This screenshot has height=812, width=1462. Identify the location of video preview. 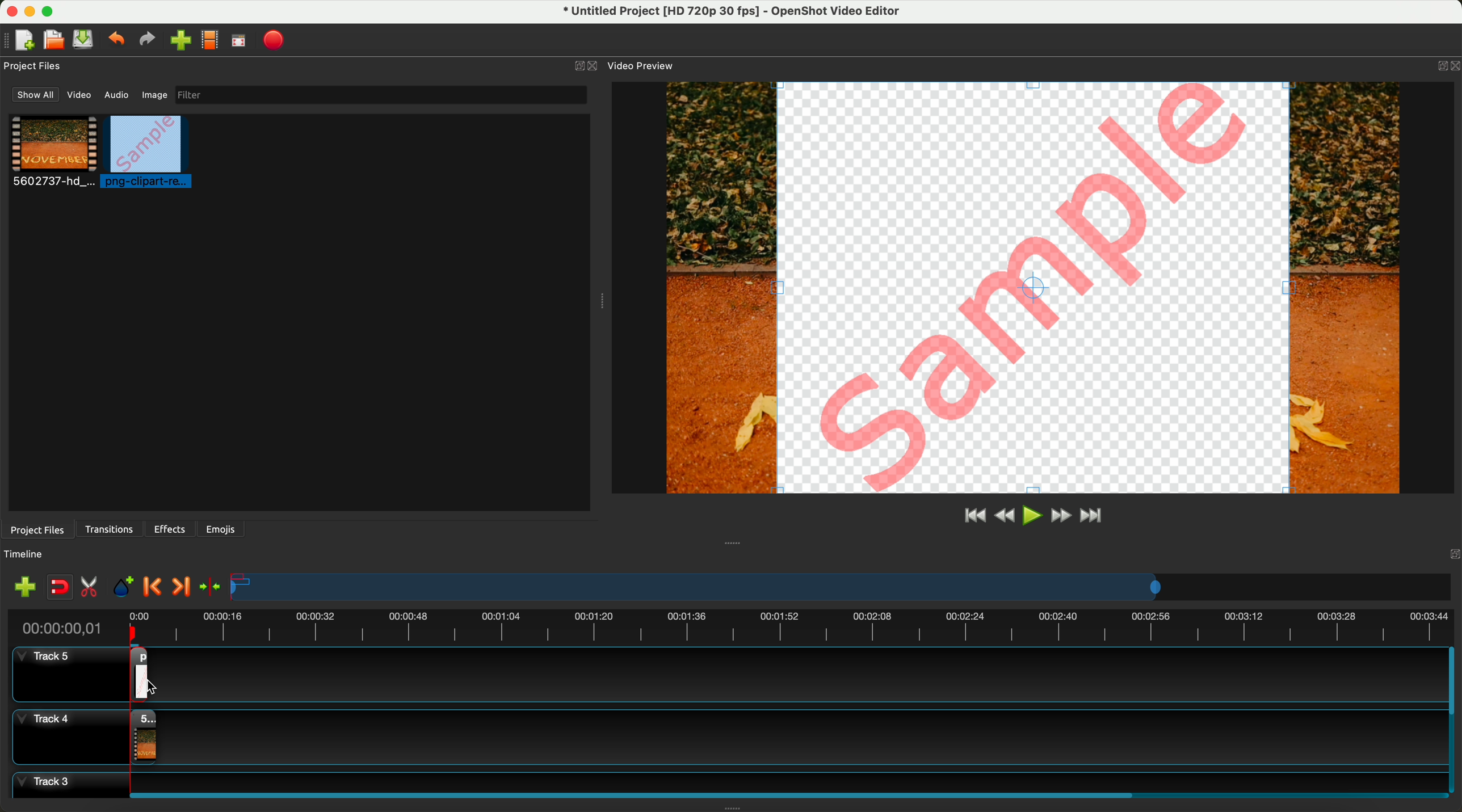
(640, 66).